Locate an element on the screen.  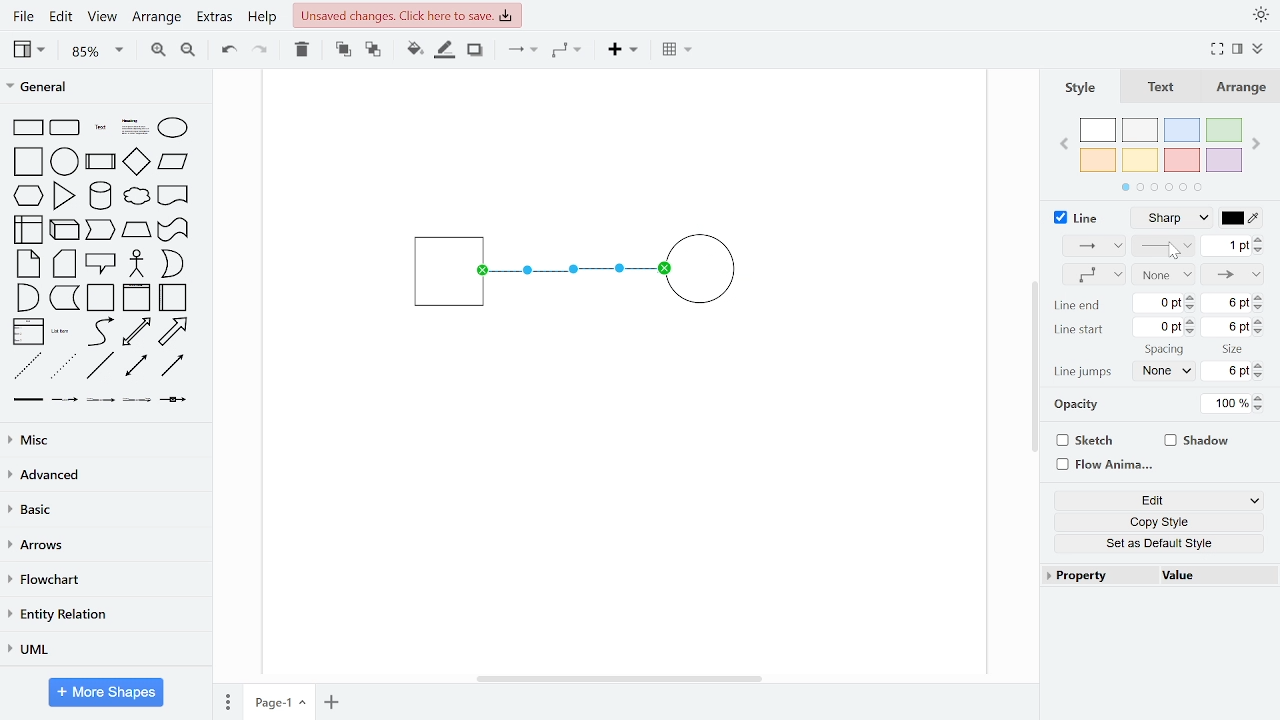
waypoints is located at coordinates (1093, 275).